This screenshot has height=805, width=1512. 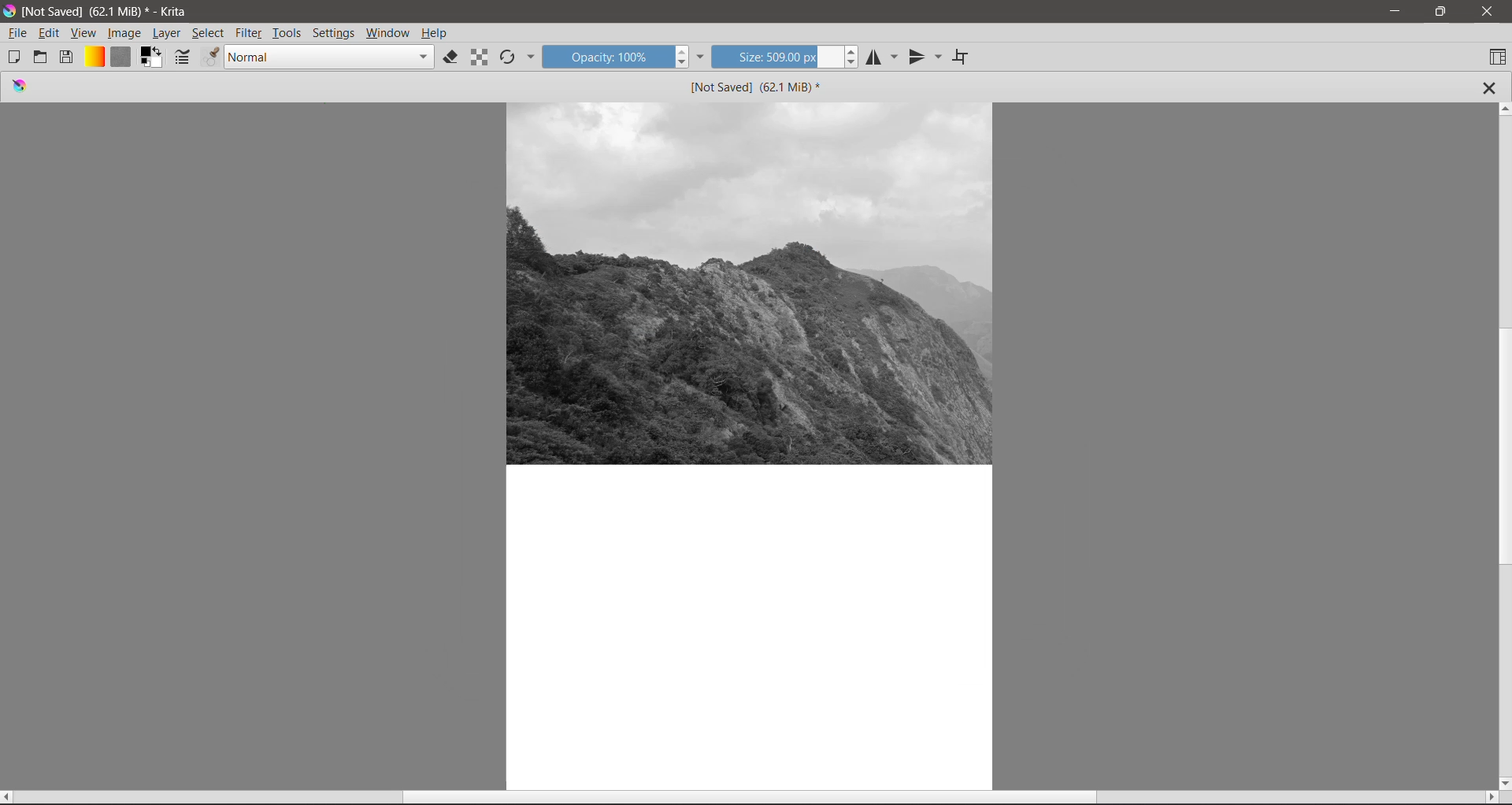 I want to click on Reload Original Preset, so click(x=509, y=57).